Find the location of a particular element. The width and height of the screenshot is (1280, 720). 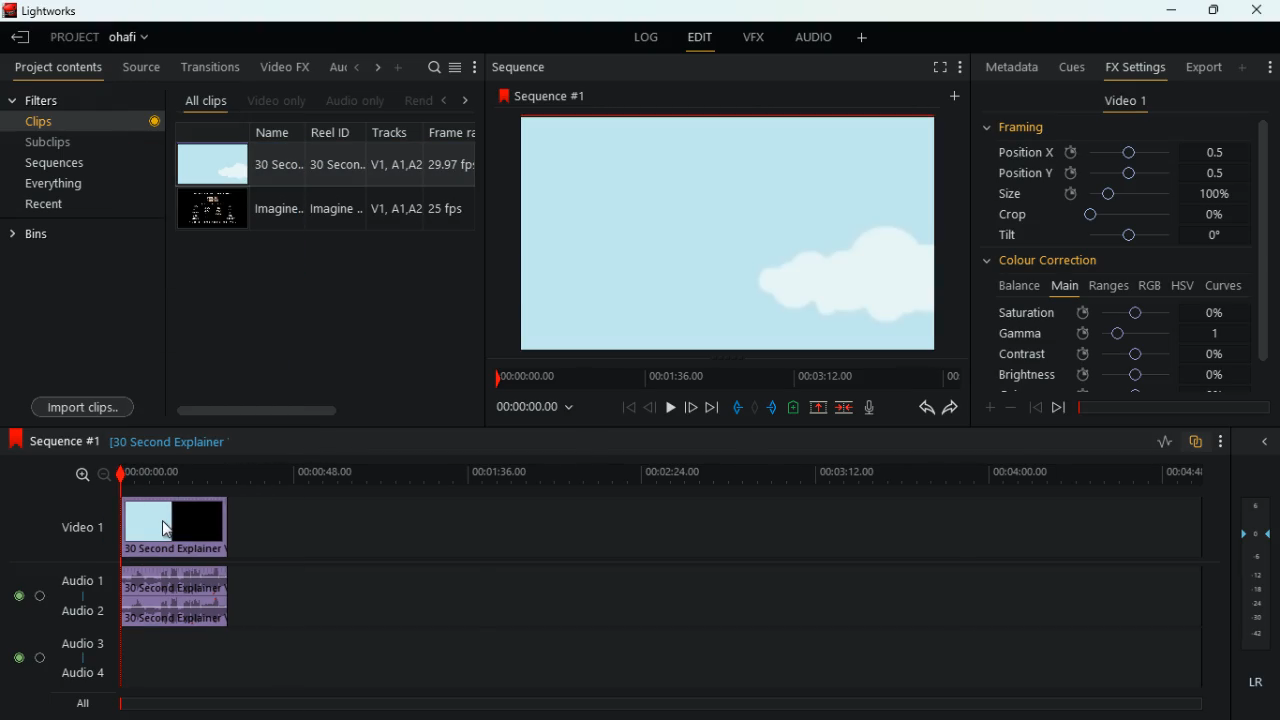

edit is located at coordinates (700, 37).